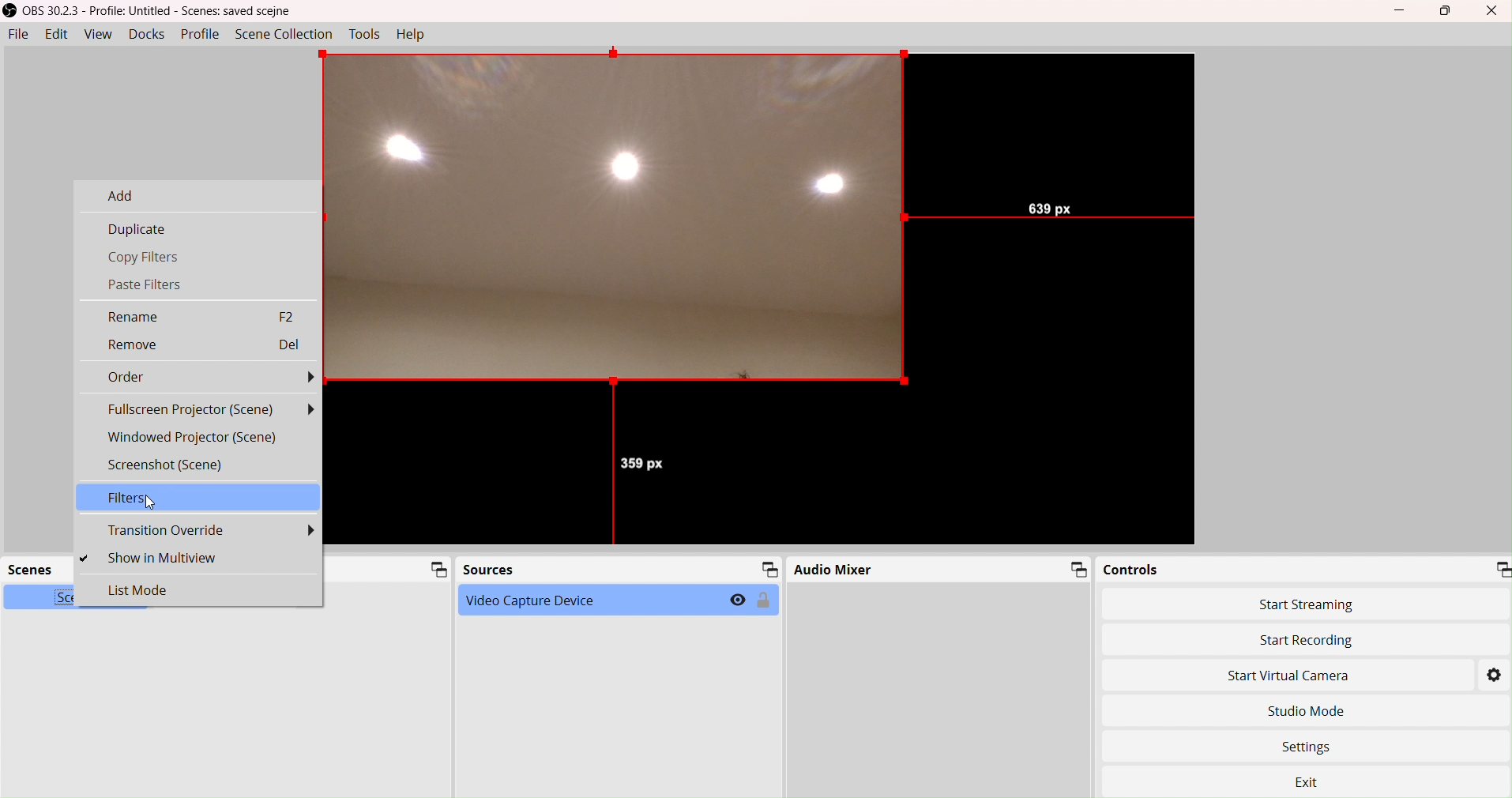  Describe the element at coordinates (621, 570) in the screenshot. I see `Sources` at that location.